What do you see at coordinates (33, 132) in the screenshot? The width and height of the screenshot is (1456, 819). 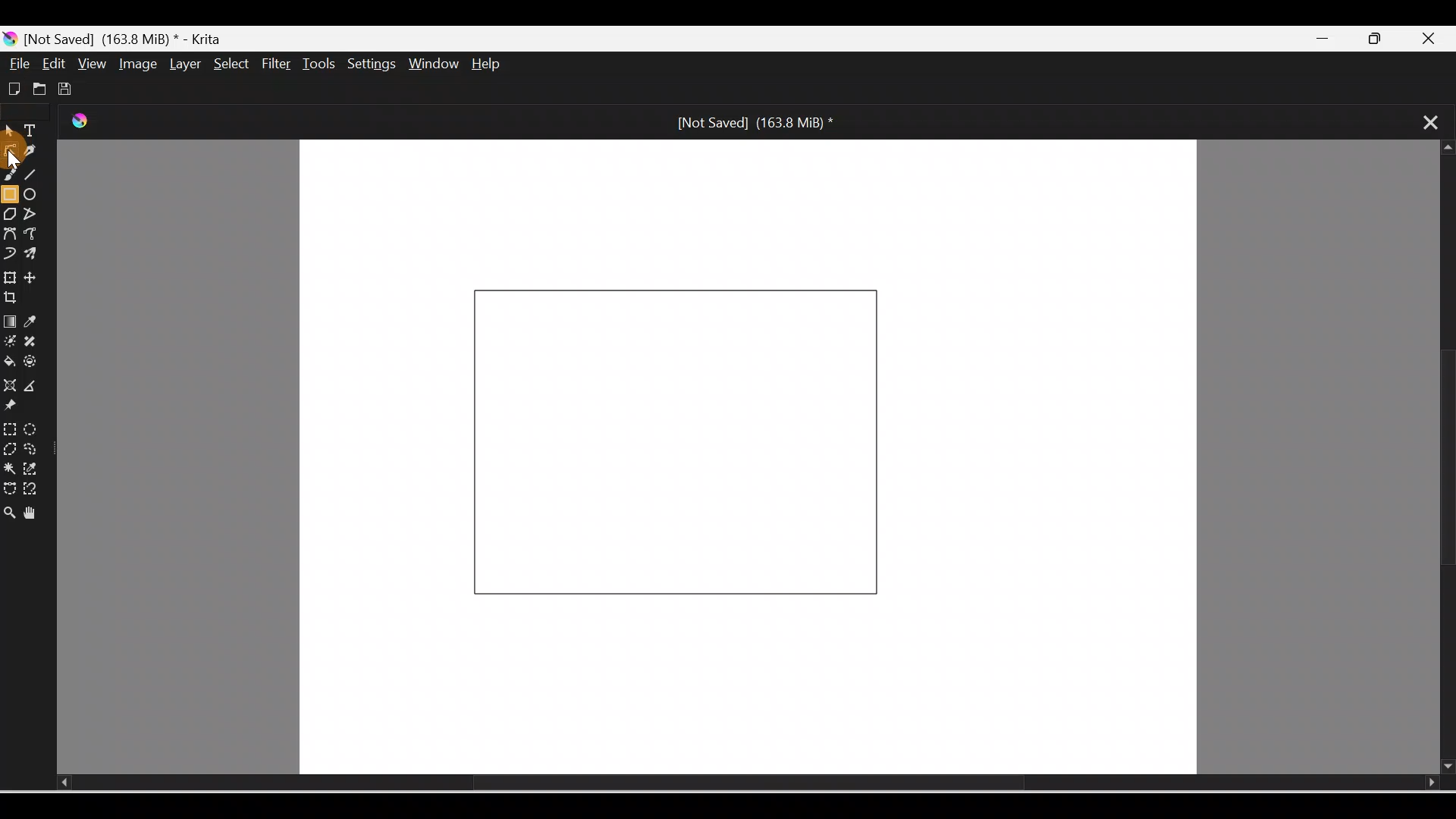 I see `Text tool` at bounding box center [33, 132].